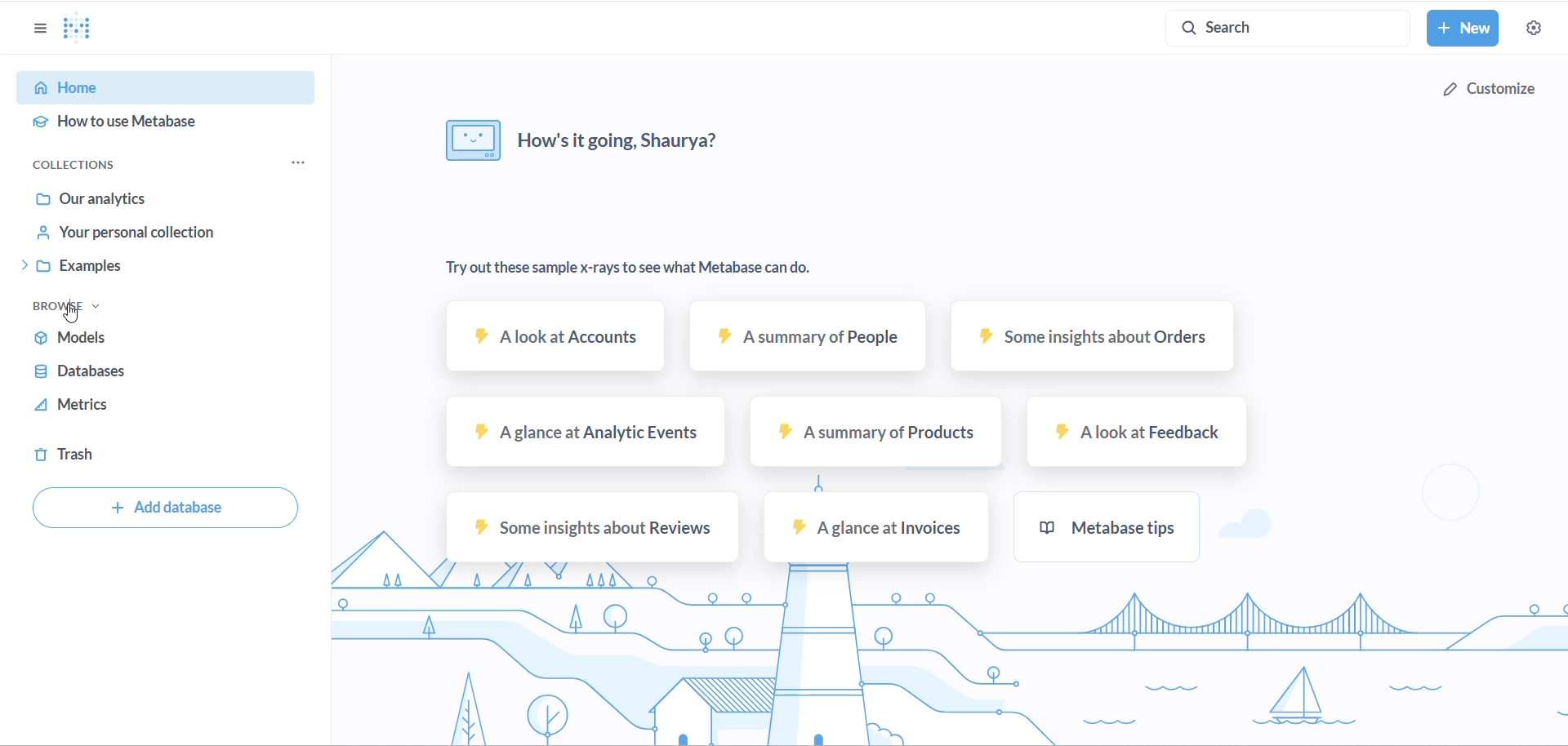 The width and height of the screenshot is (1568, 746). Describe the element at coordinates (81, 344) in the screenshot. I see `models` at that location.